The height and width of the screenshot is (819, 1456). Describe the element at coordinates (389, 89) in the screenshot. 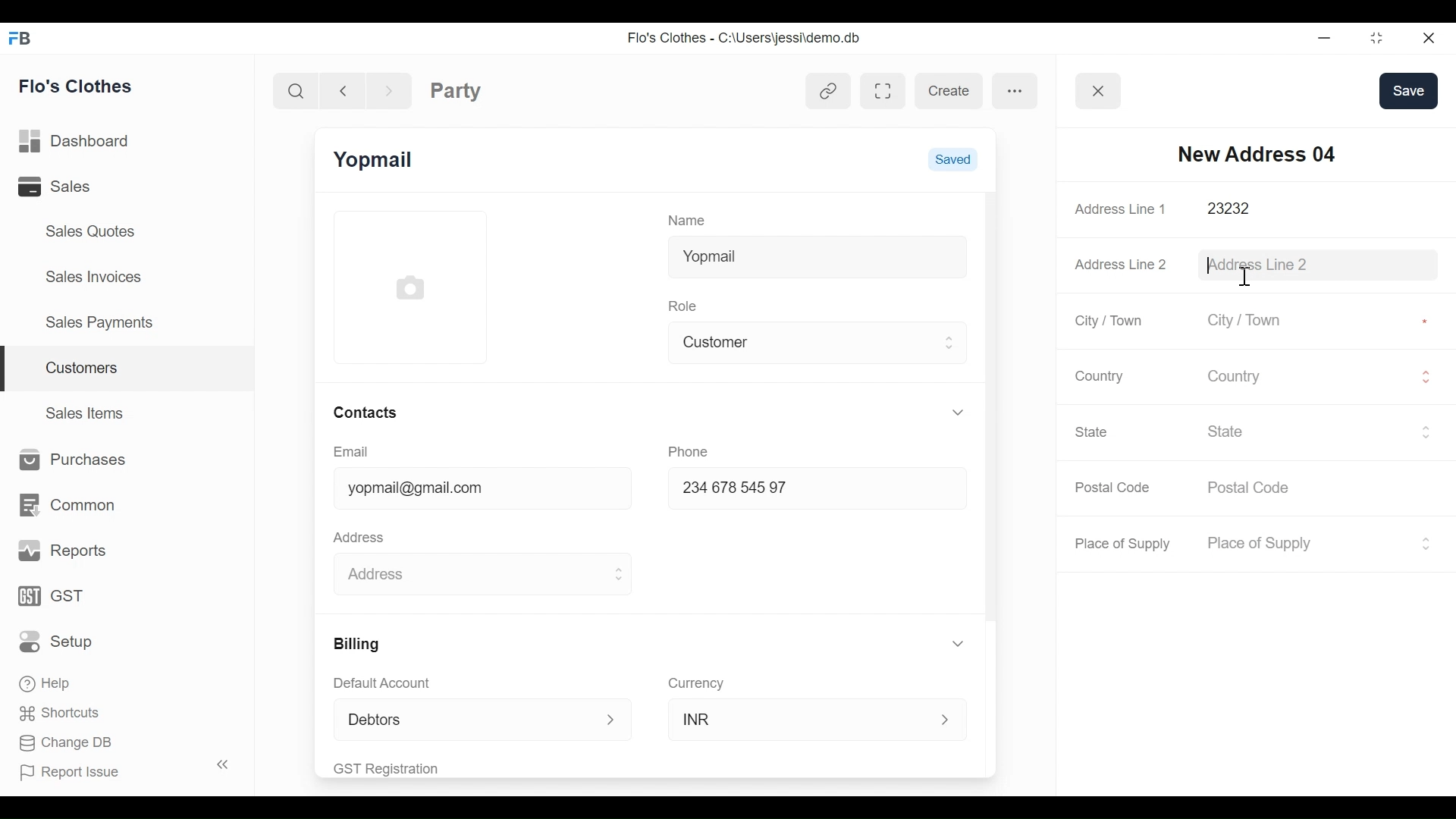

I see `Navigate Forward` at that location.